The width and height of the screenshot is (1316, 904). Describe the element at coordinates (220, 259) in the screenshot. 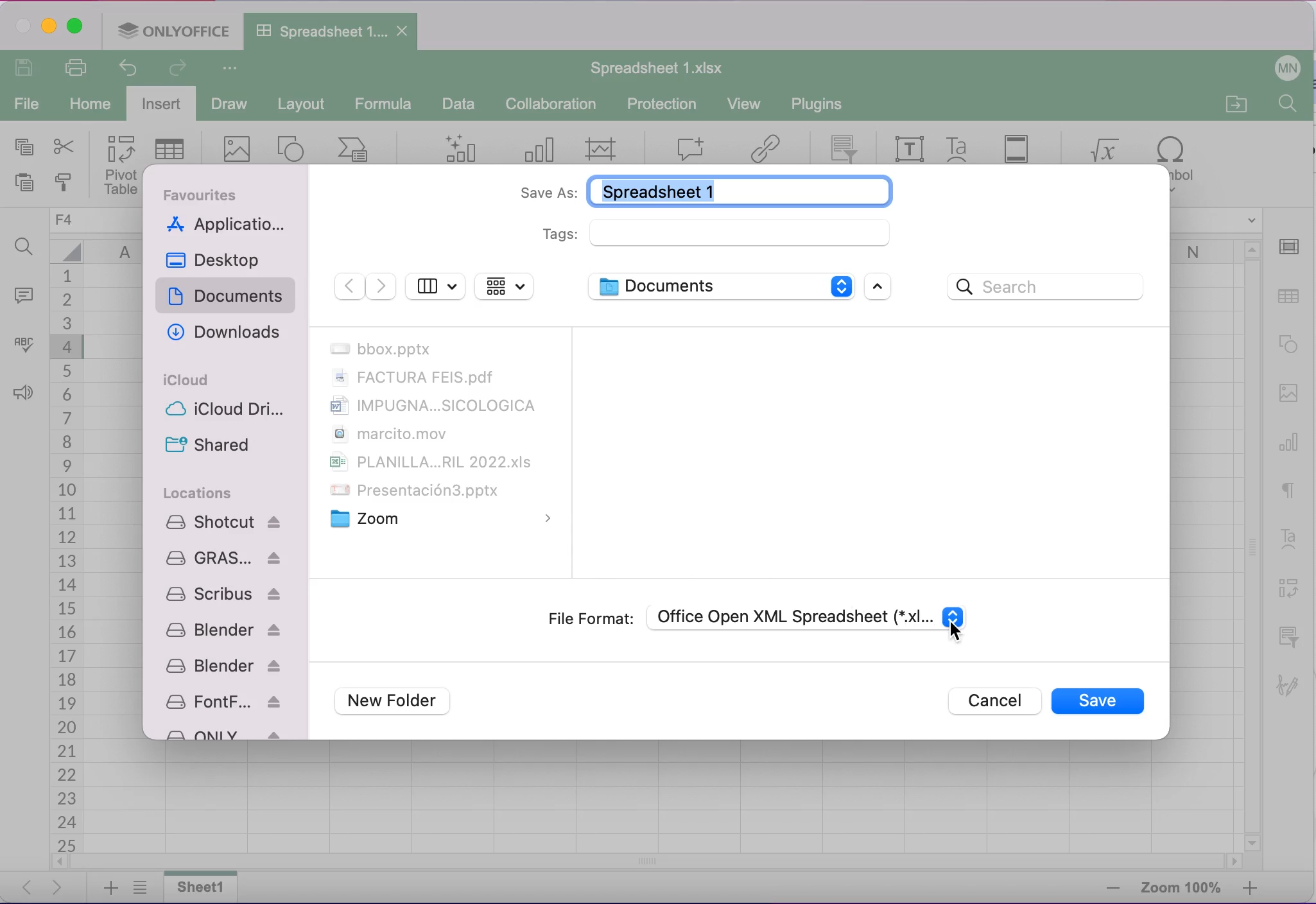

I see `desktop` at that location.